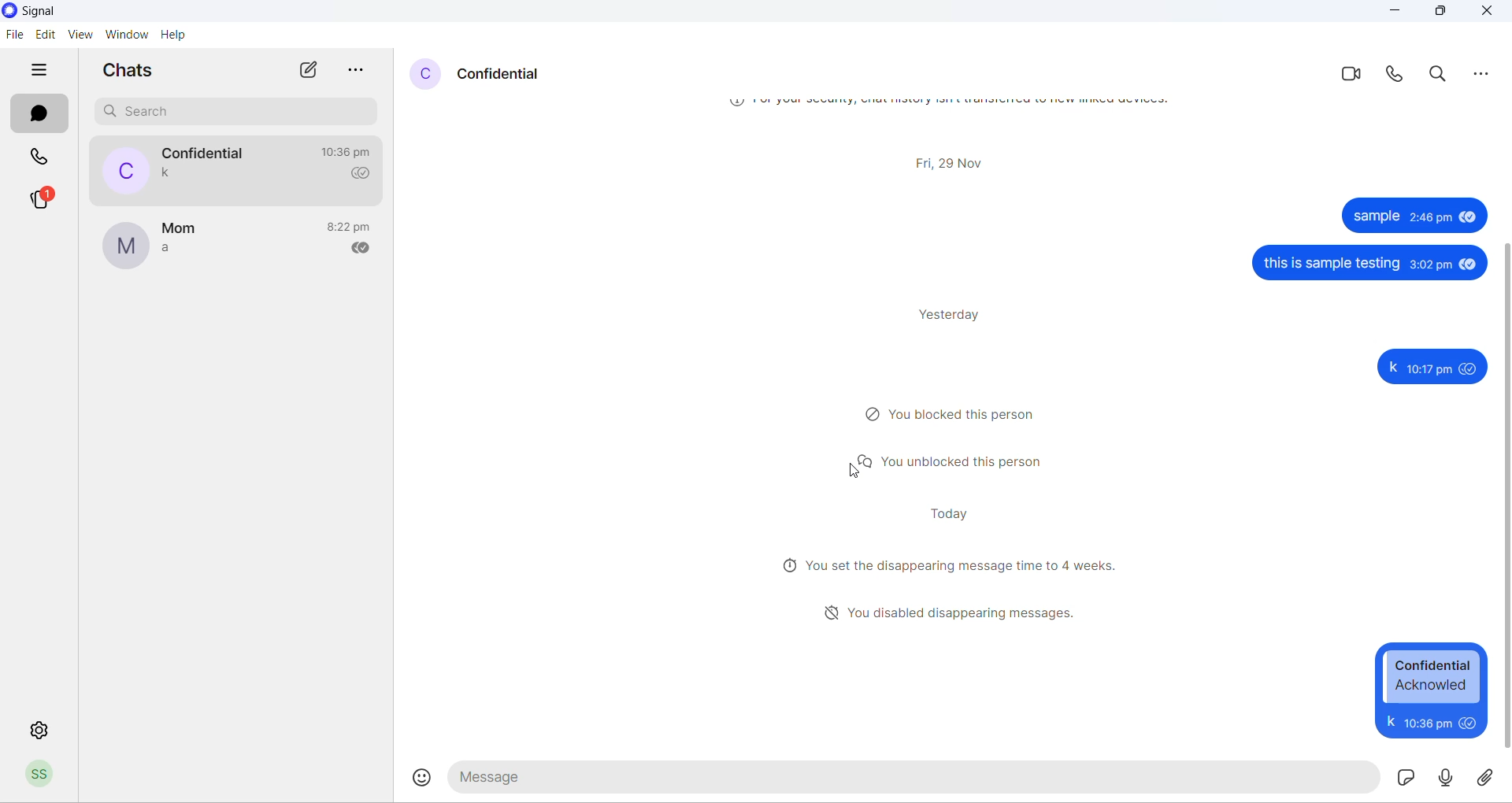  What do you see at coordinates (171, 174) in the screenshot?
I see `last message` at bounding box center [171, 174].